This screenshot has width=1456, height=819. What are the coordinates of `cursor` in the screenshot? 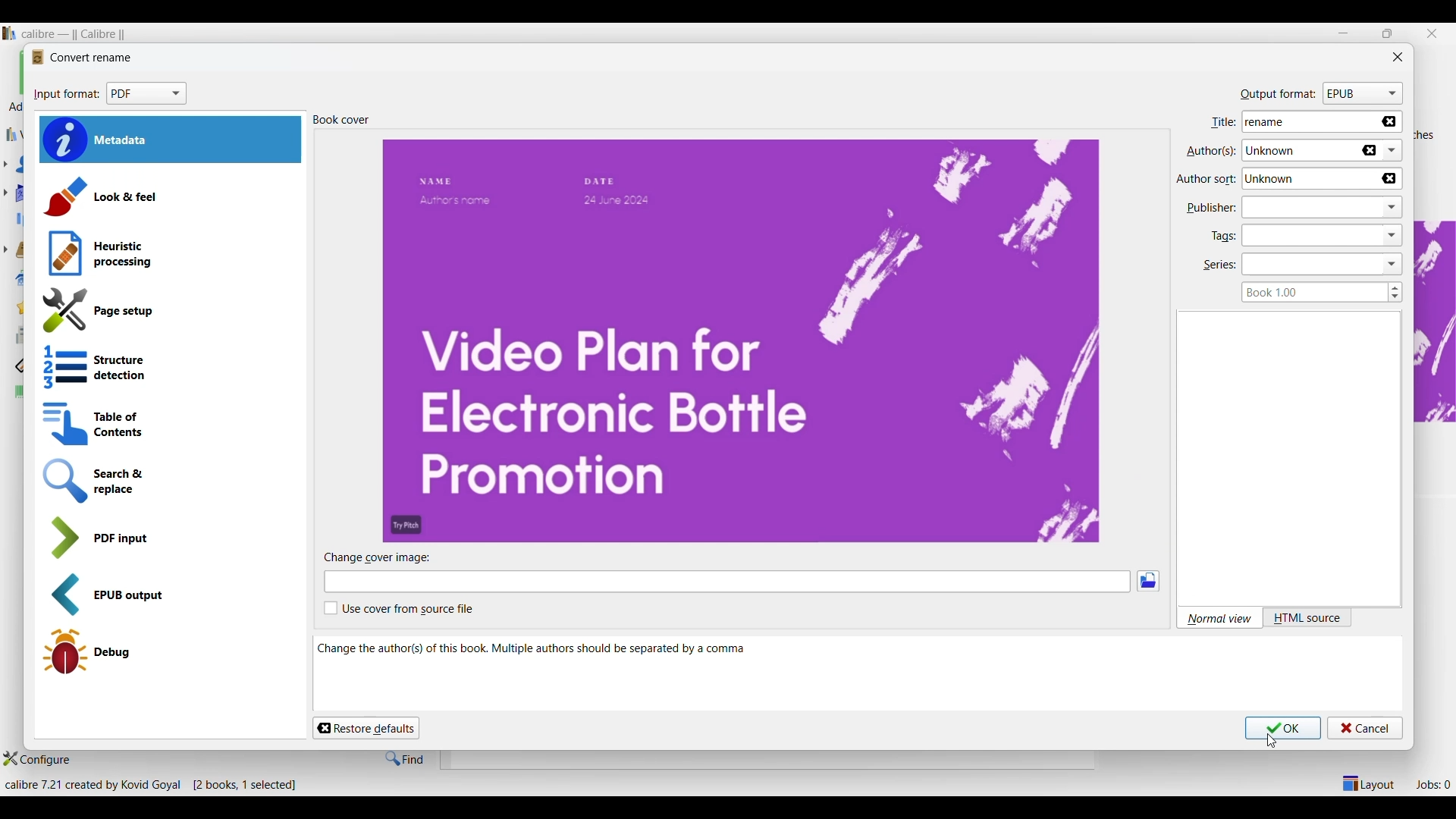 It's located at (1271, 745).